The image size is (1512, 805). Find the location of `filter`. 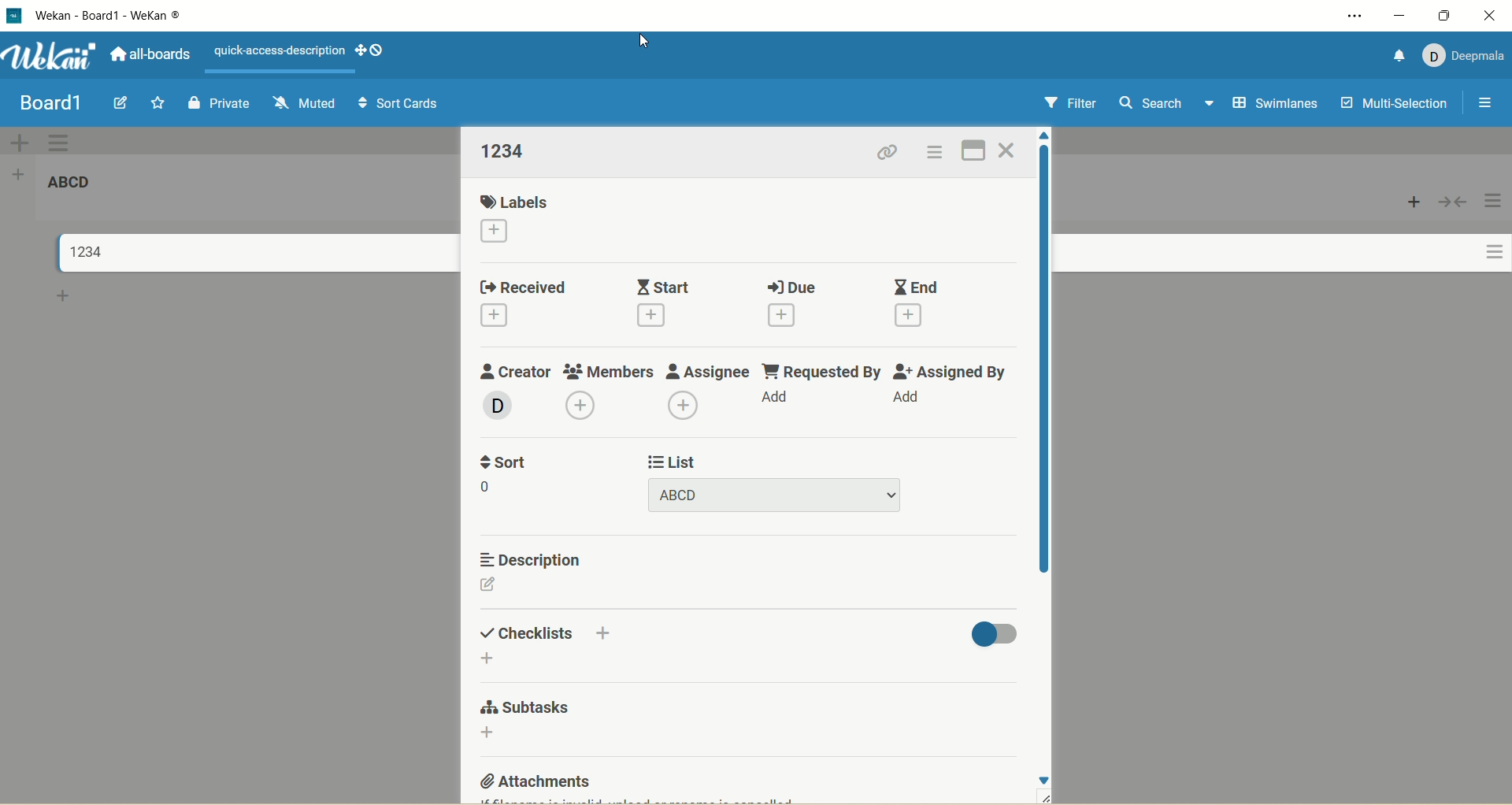

filter is located at coordinates (1069, 103).